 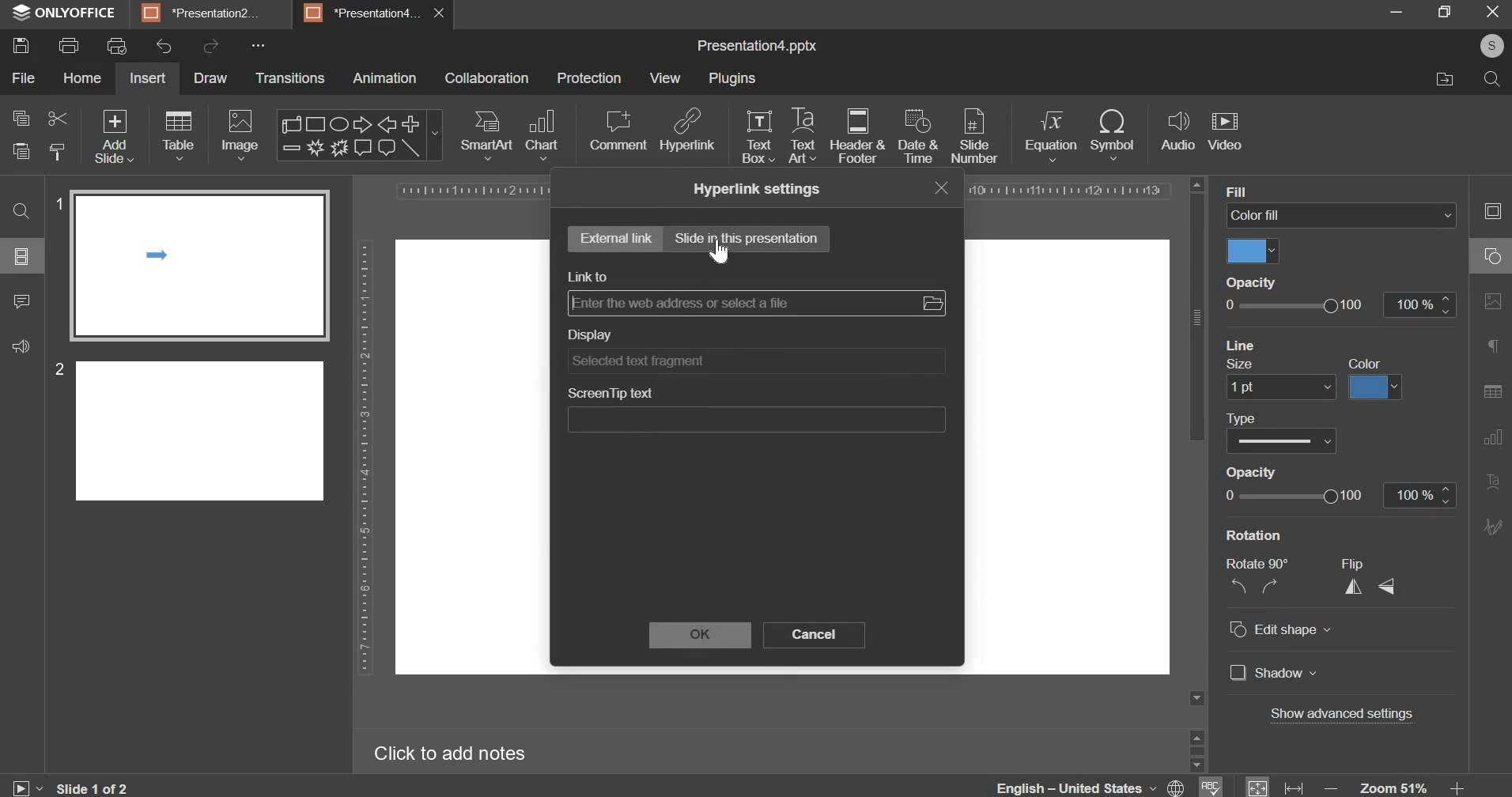 What do you see at coordinates (1343, 214) in the screenshot?
I see `background fill` at bounding box center [1343, 214].